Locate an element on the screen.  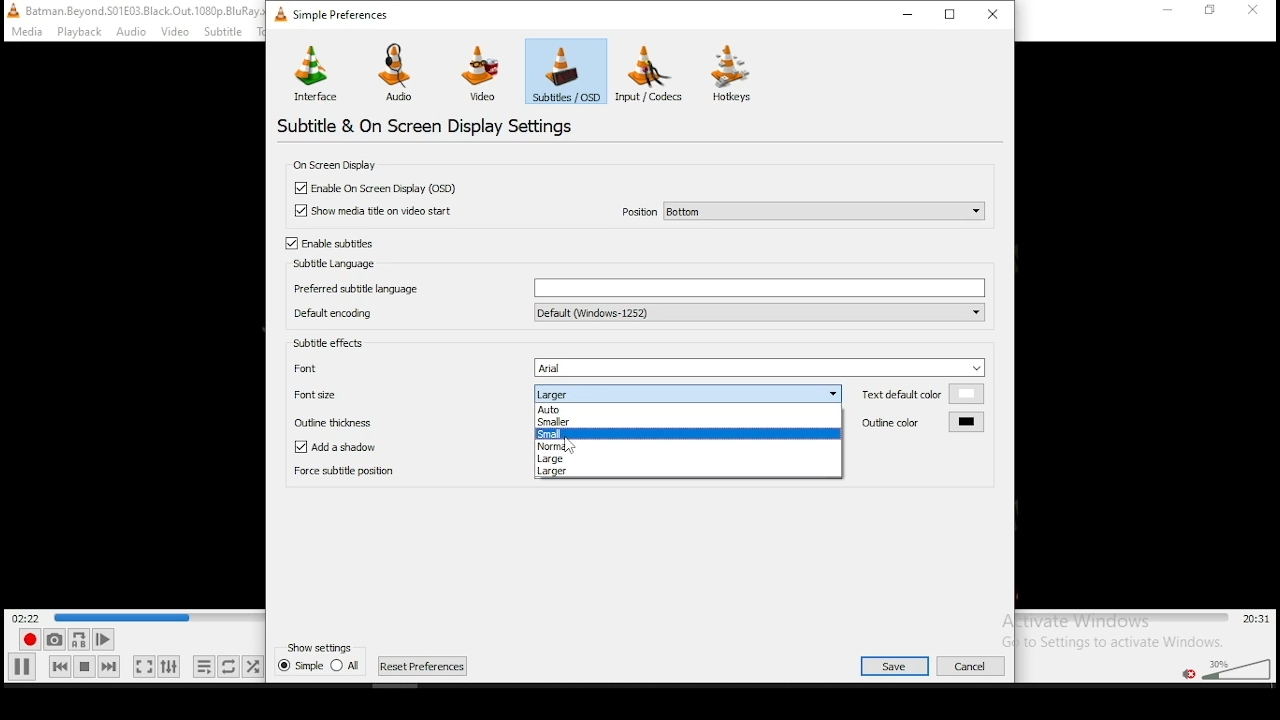
frame by frame is located at coordinates (100, 640).